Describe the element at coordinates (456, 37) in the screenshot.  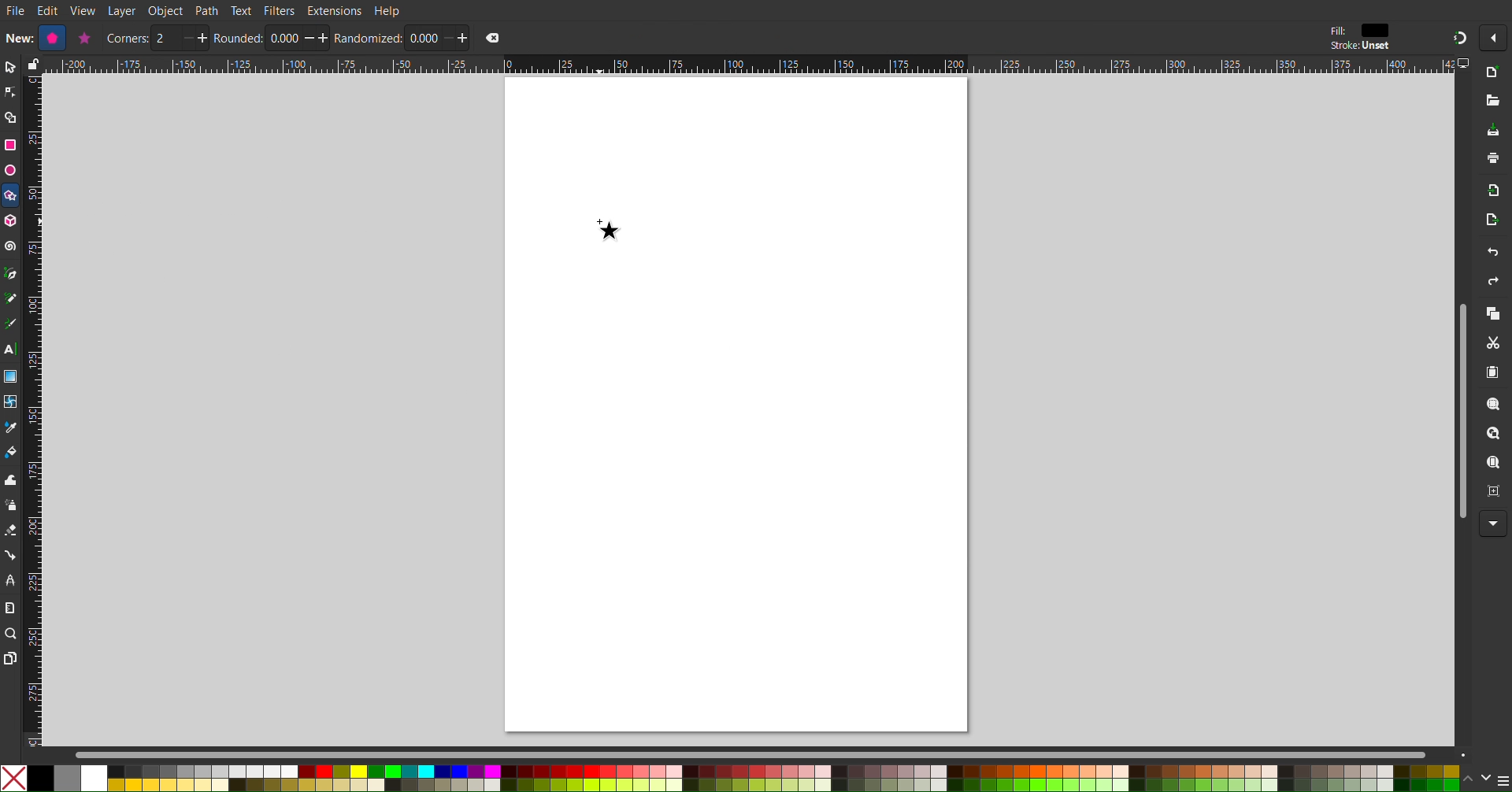
I see `increase/decrease` at that location.